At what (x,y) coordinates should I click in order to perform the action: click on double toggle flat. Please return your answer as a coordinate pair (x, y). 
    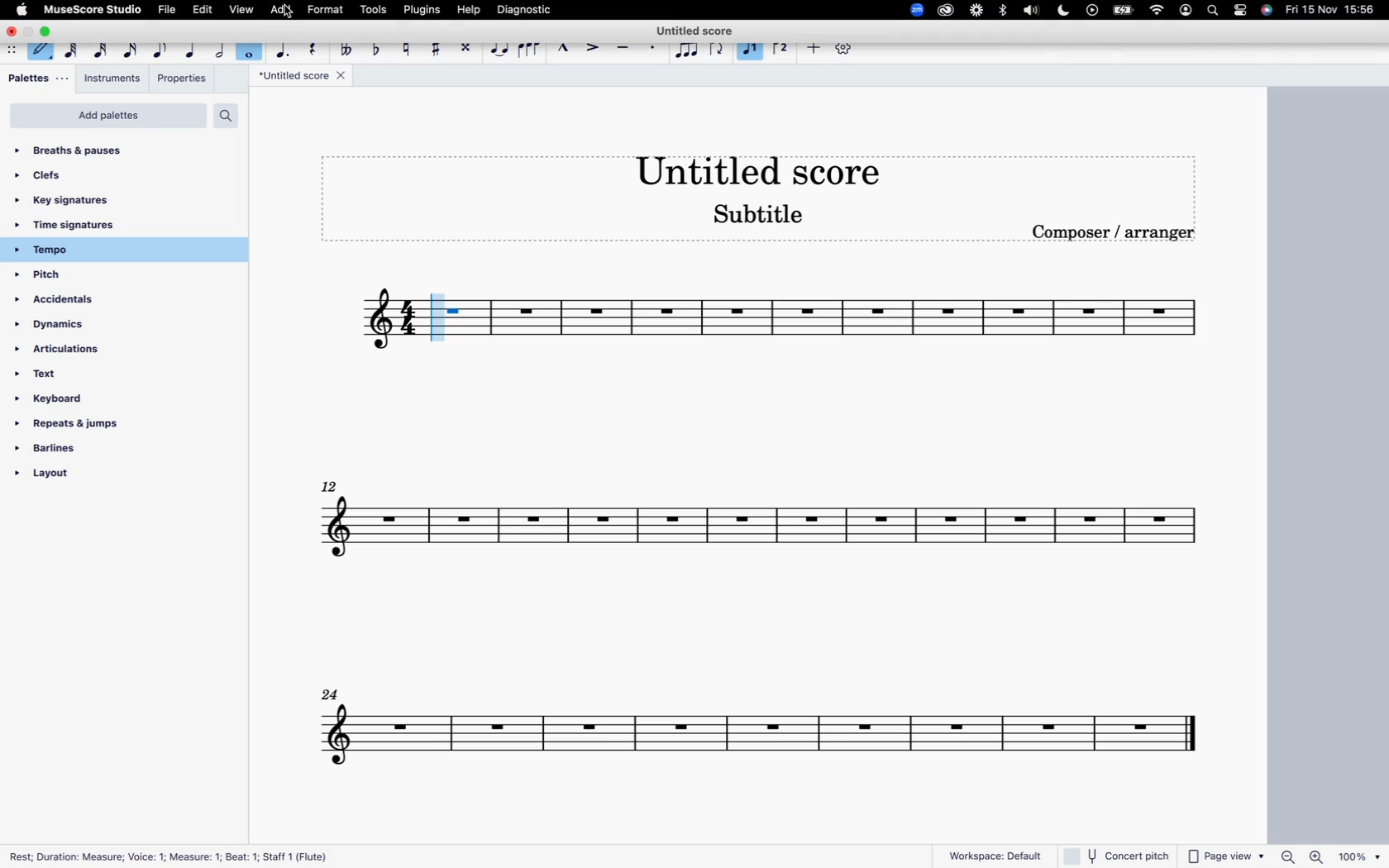
    Looking at the image, I should click on (347, 48).